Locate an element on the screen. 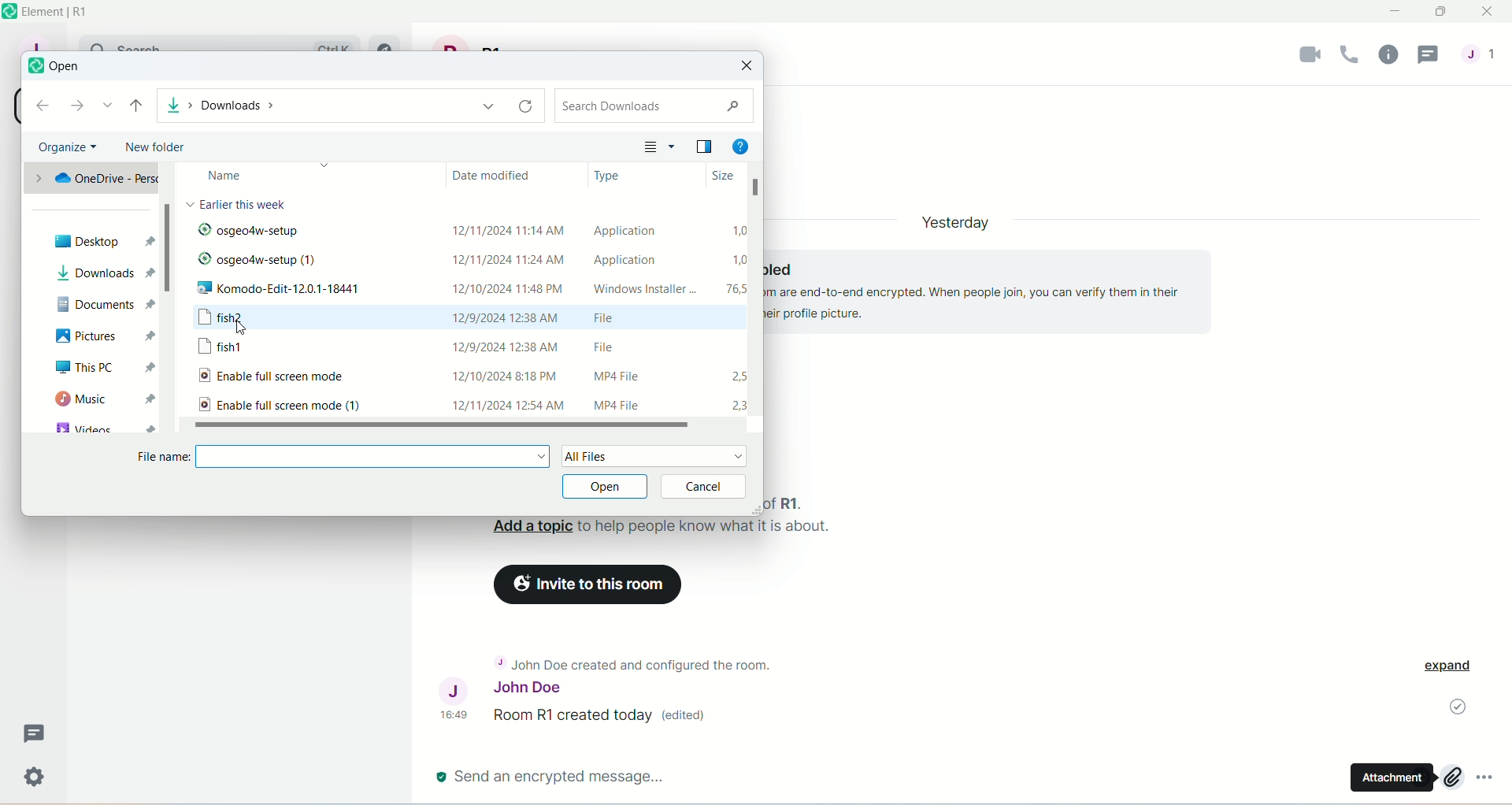  minimize is located at coordinates (1397, 12).